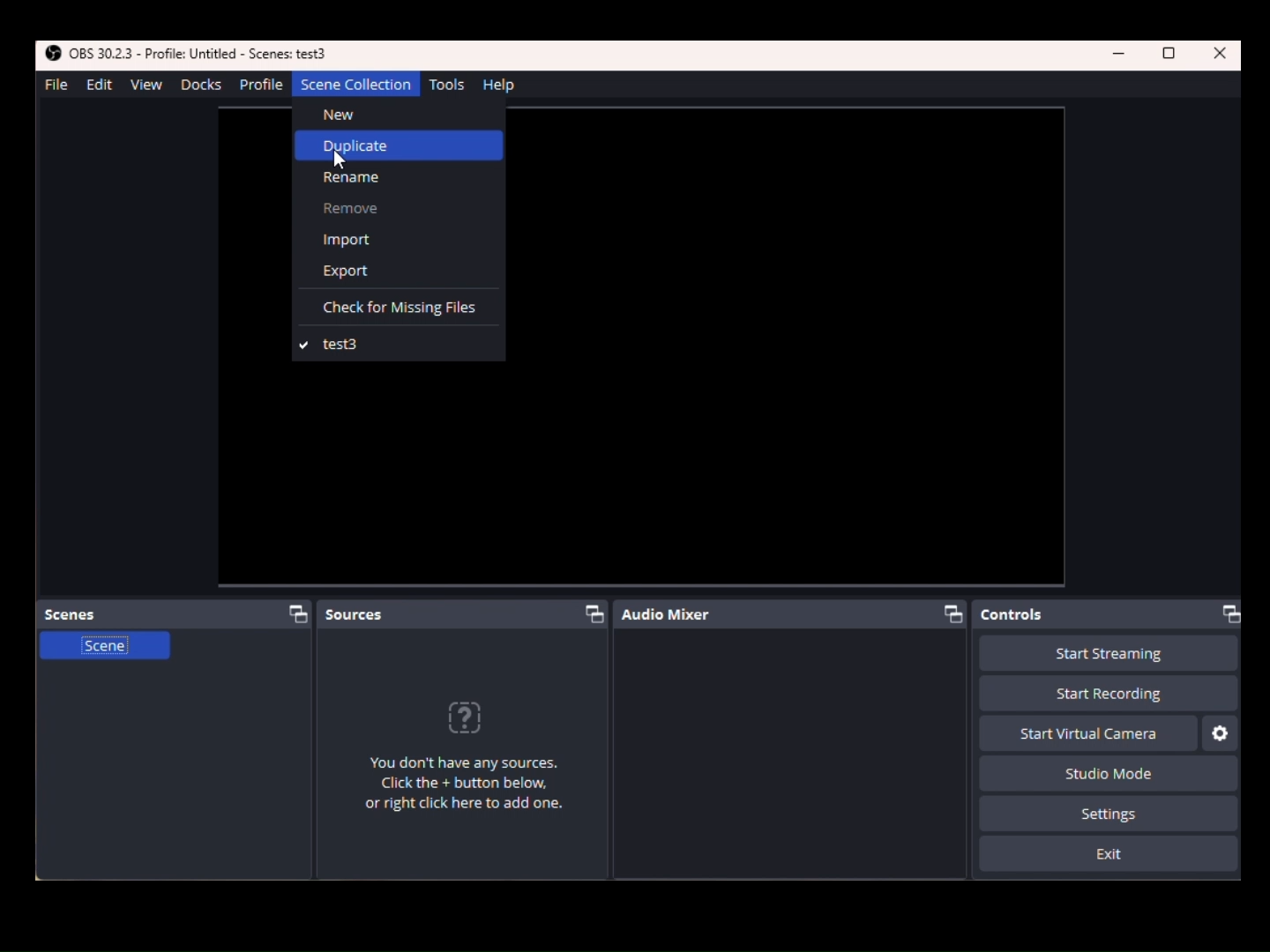  What do you see at coordinates (401, 272) in the screenshot?
I see `Export` at bounding box center [401, 272].